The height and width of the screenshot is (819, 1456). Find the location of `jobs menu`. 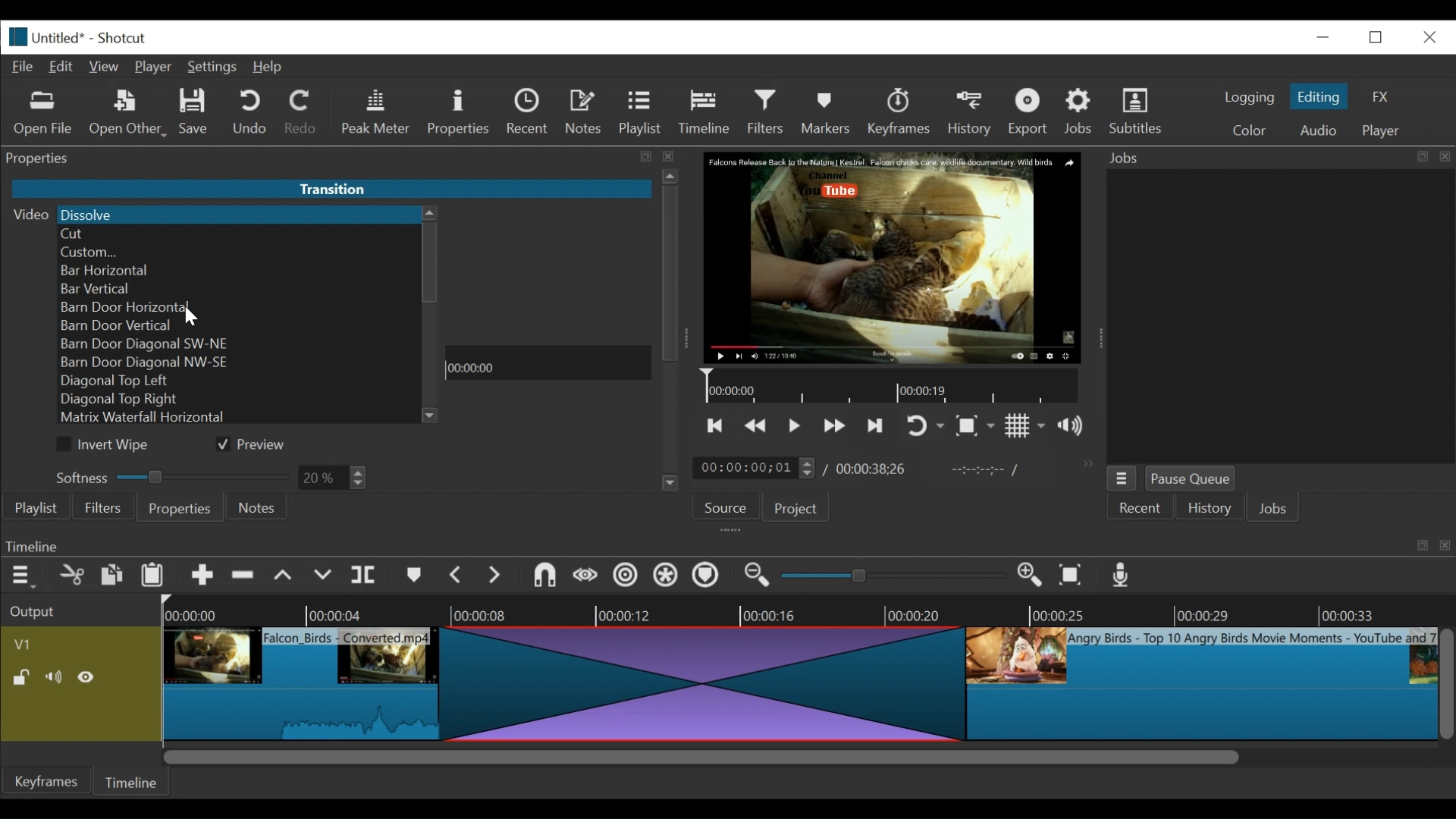

jobs menu is located at coordinates (1122, 476).